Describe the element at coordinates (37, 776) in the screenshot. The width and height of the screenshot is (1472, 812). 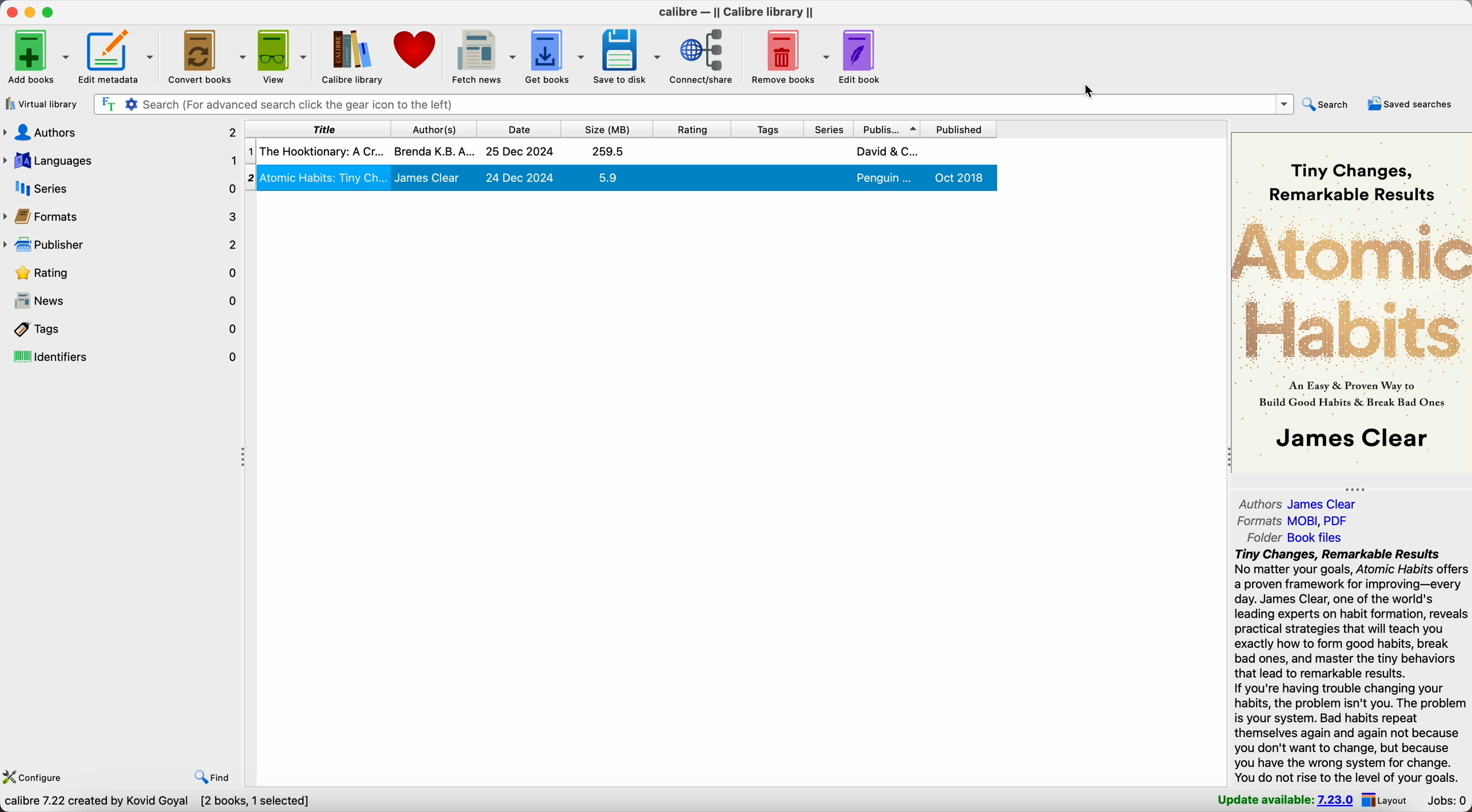
I see `configure` at that location.